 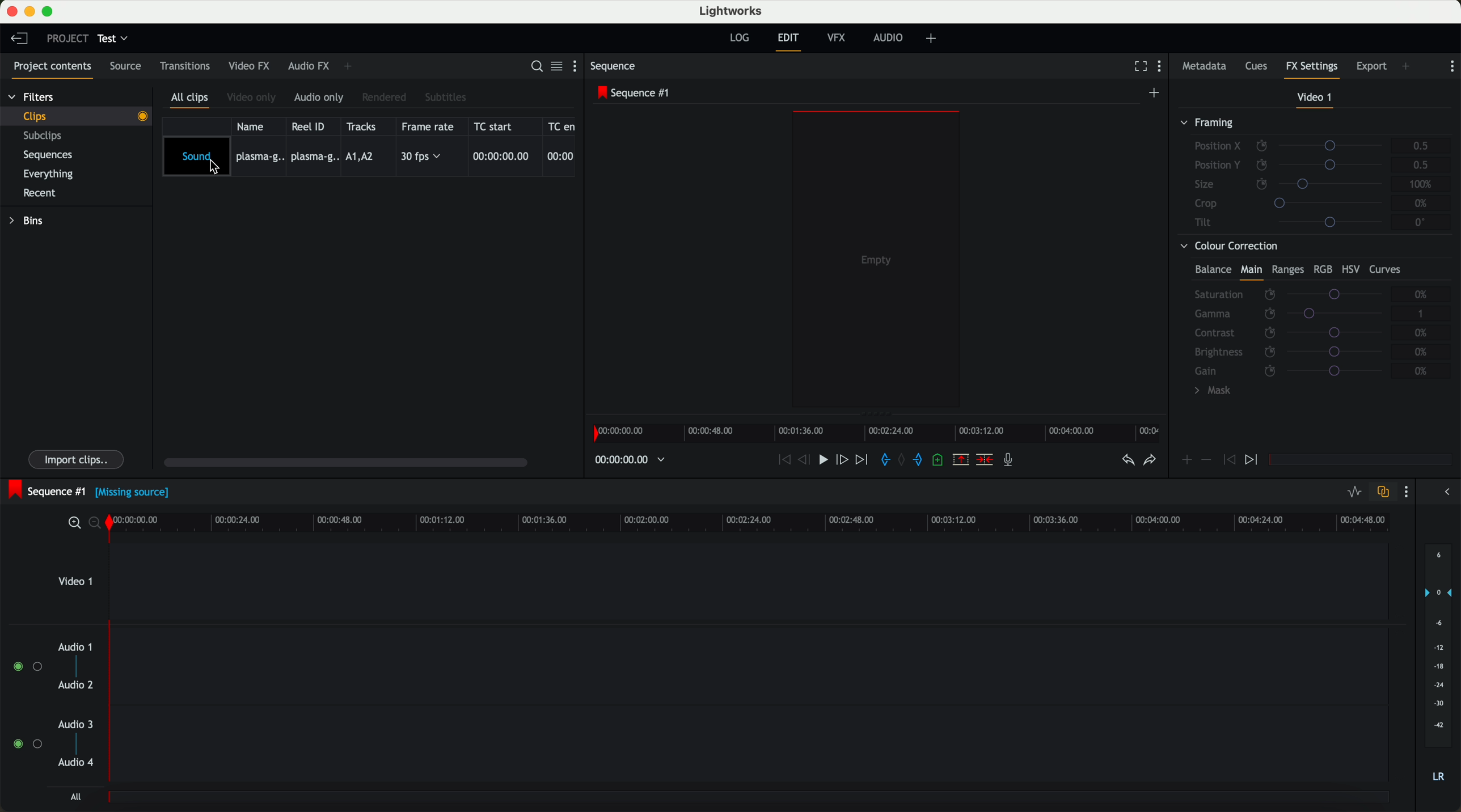 What do you see at coordinates (886, 460) in the screenshot?
I see `add in mark` at bounding box center [886, 460].